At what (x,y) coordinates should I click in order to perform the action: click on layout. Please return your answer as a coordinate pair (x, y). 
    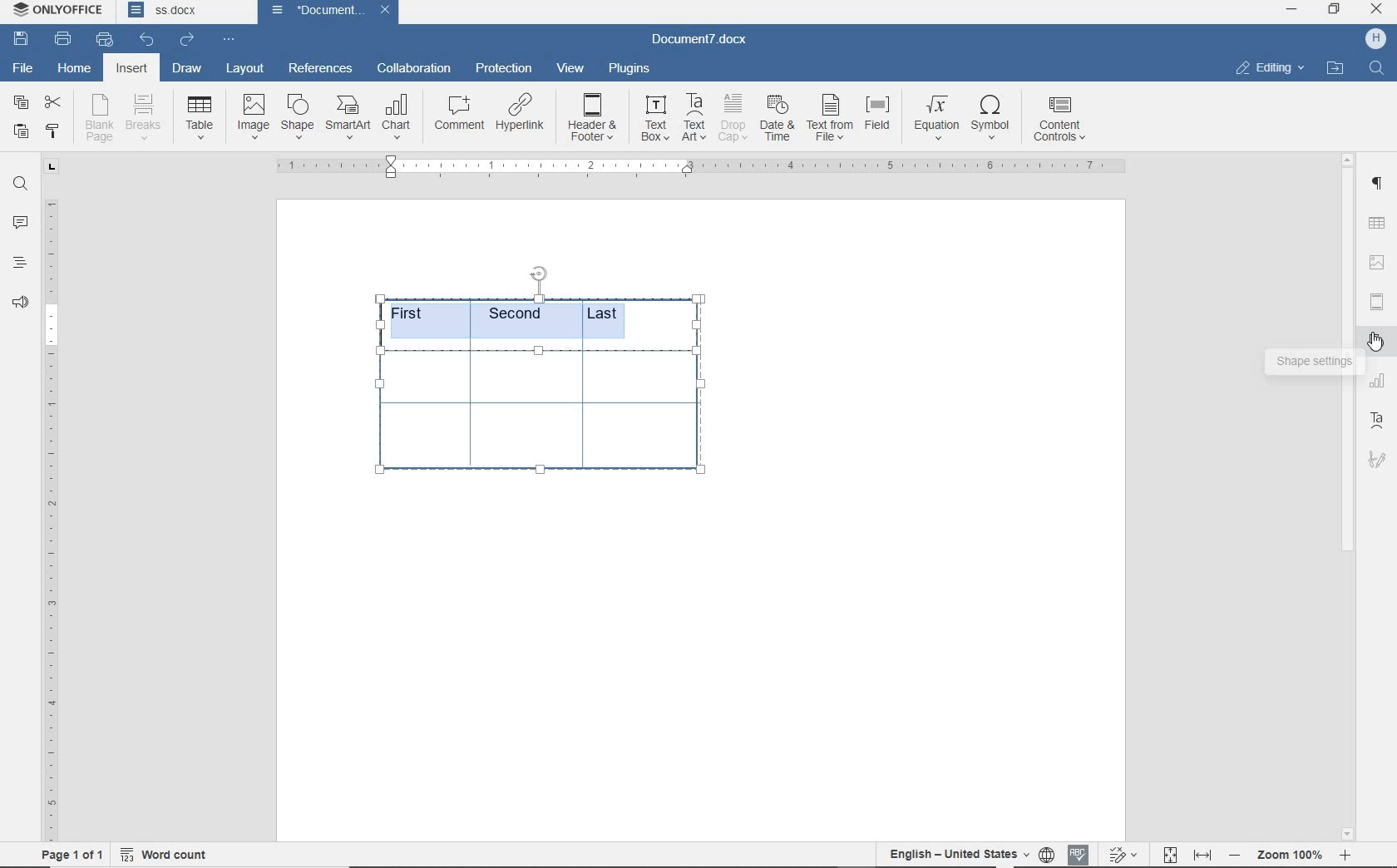
    Looking at the image, I should click on (248, 68).